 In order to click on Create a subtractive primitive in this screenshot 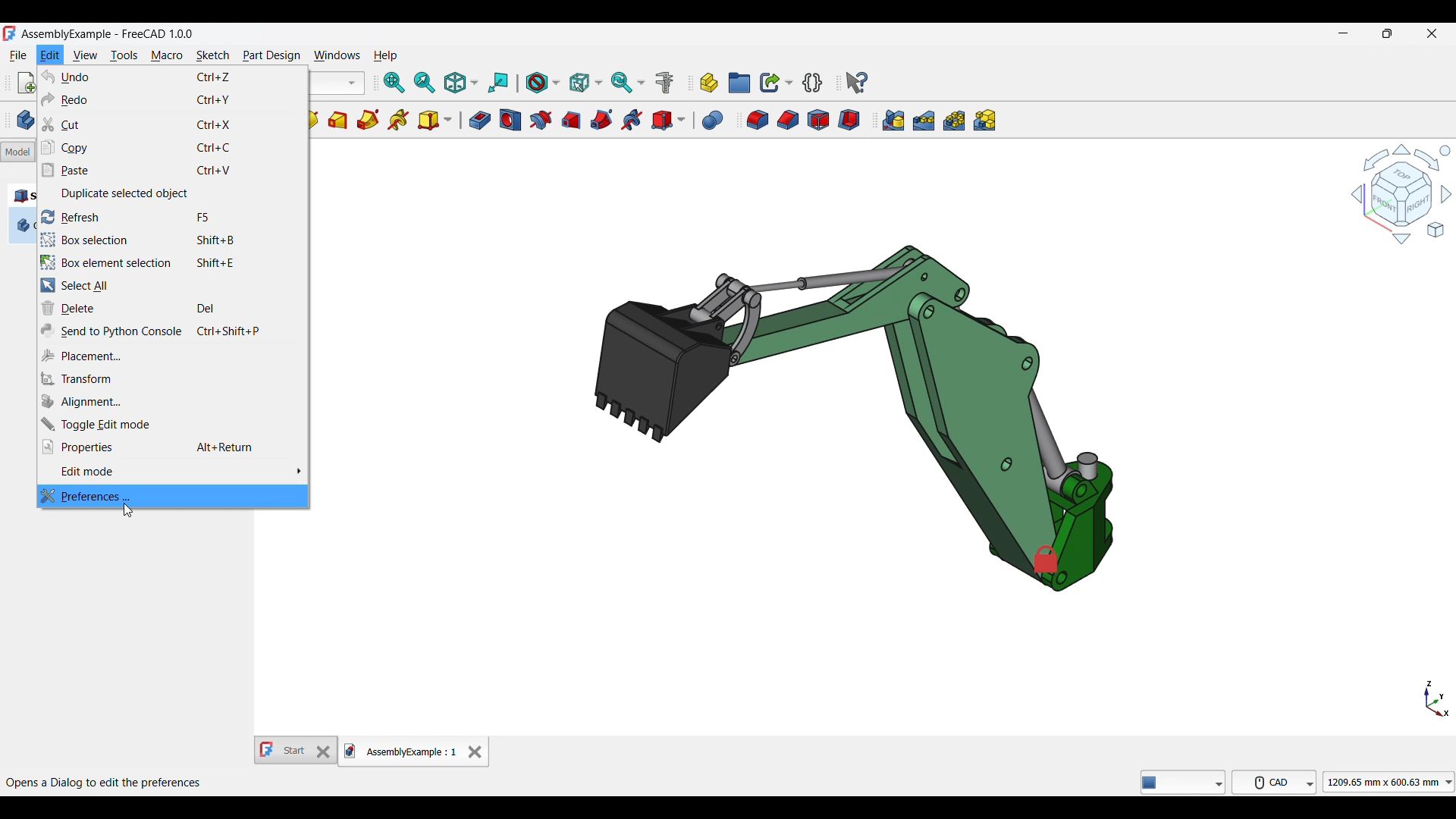, I will do `click(668, 121)`.